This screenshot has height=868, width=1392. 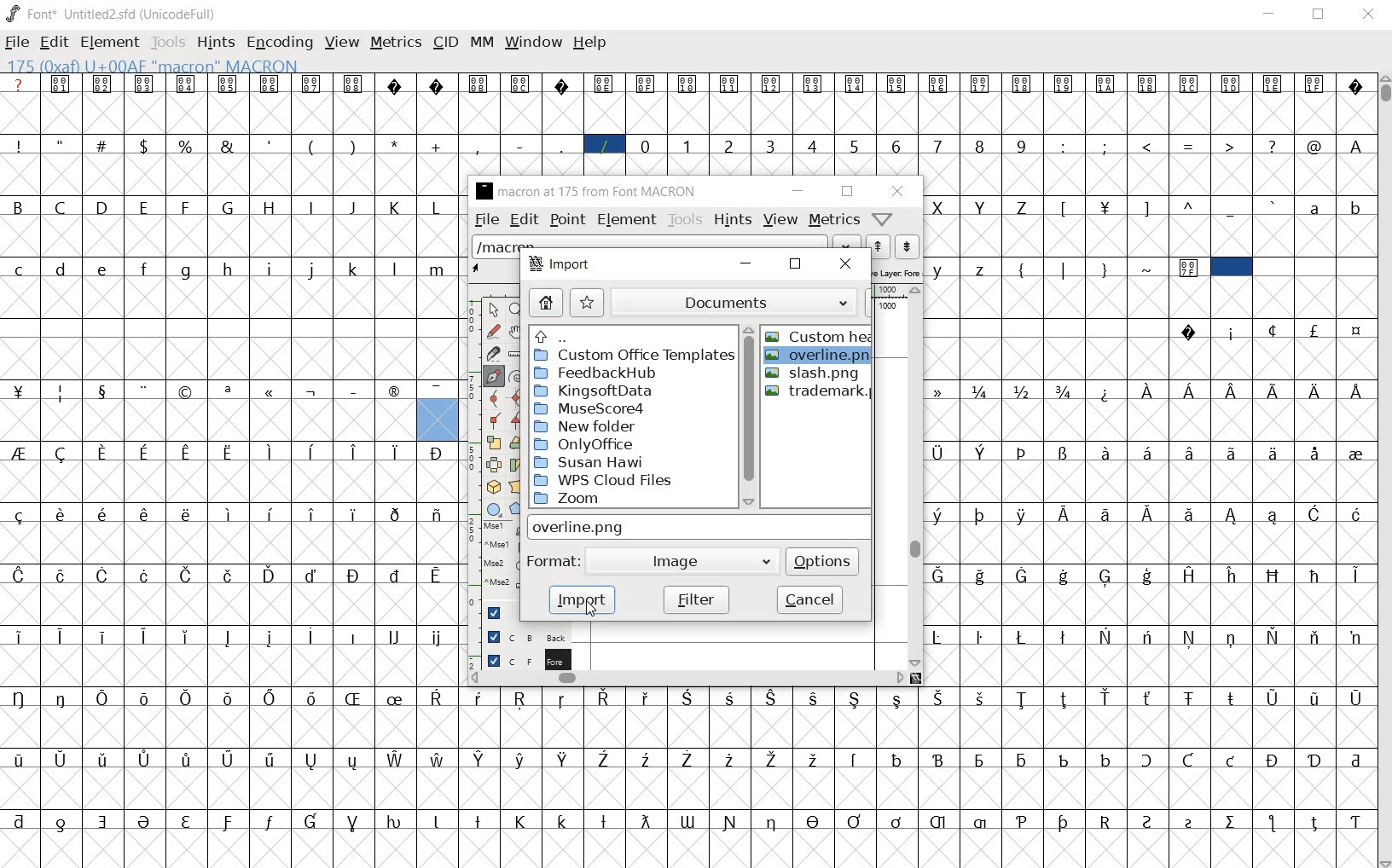 What do you see at coordinates (940, 269) in the screenshot?
I see `y` at bounding box center [940, 269].